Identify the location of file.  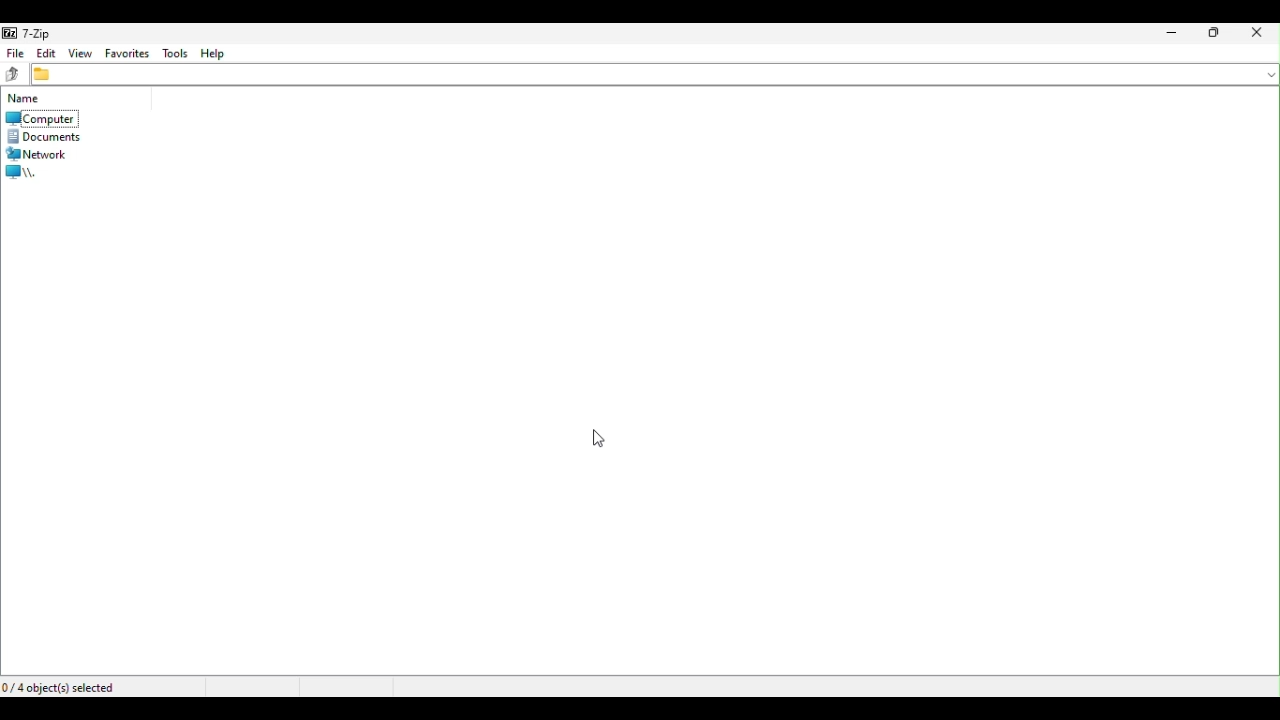
(14, 55).